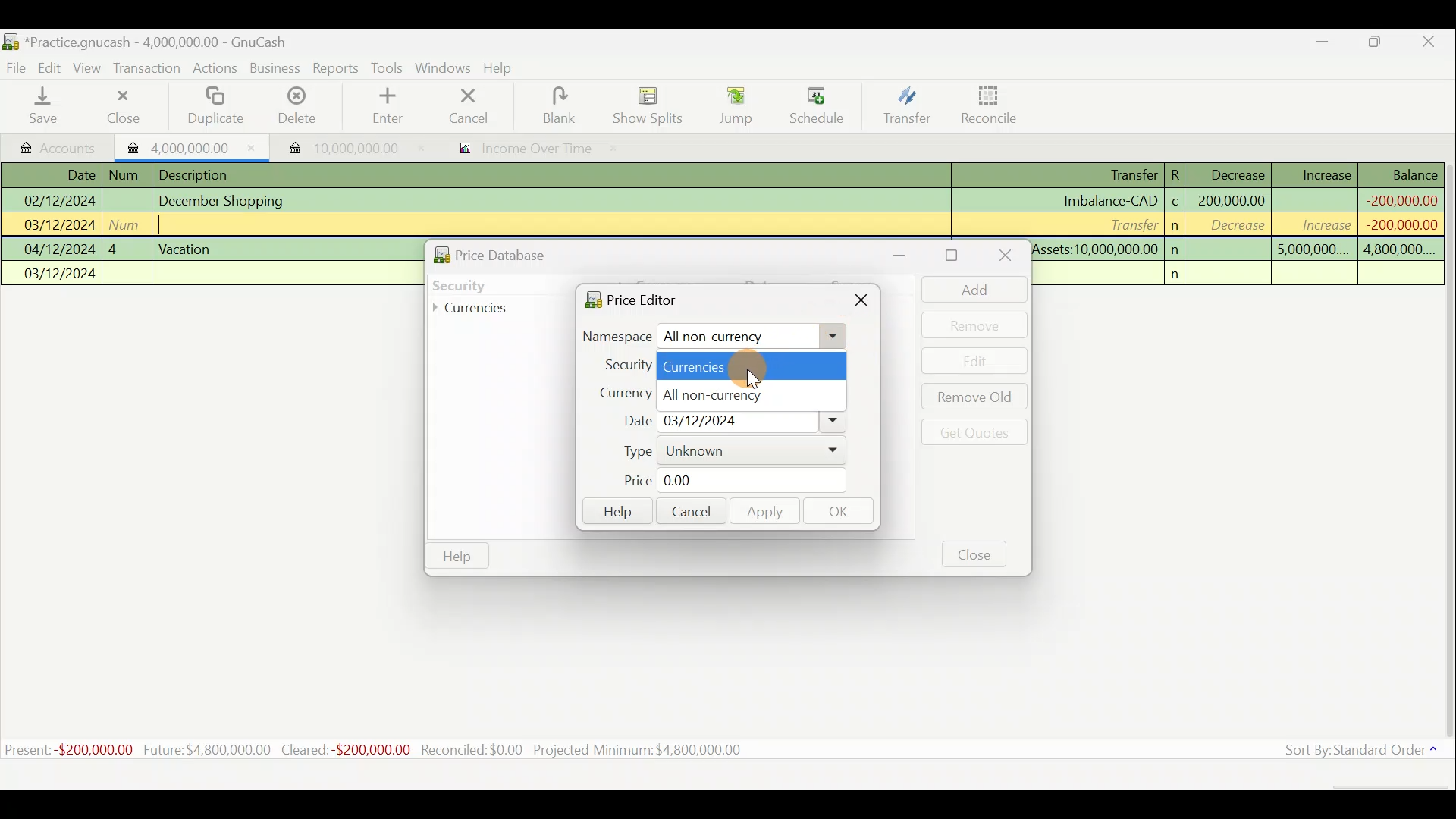  I want to click on Transfer, so click(1129, 224).